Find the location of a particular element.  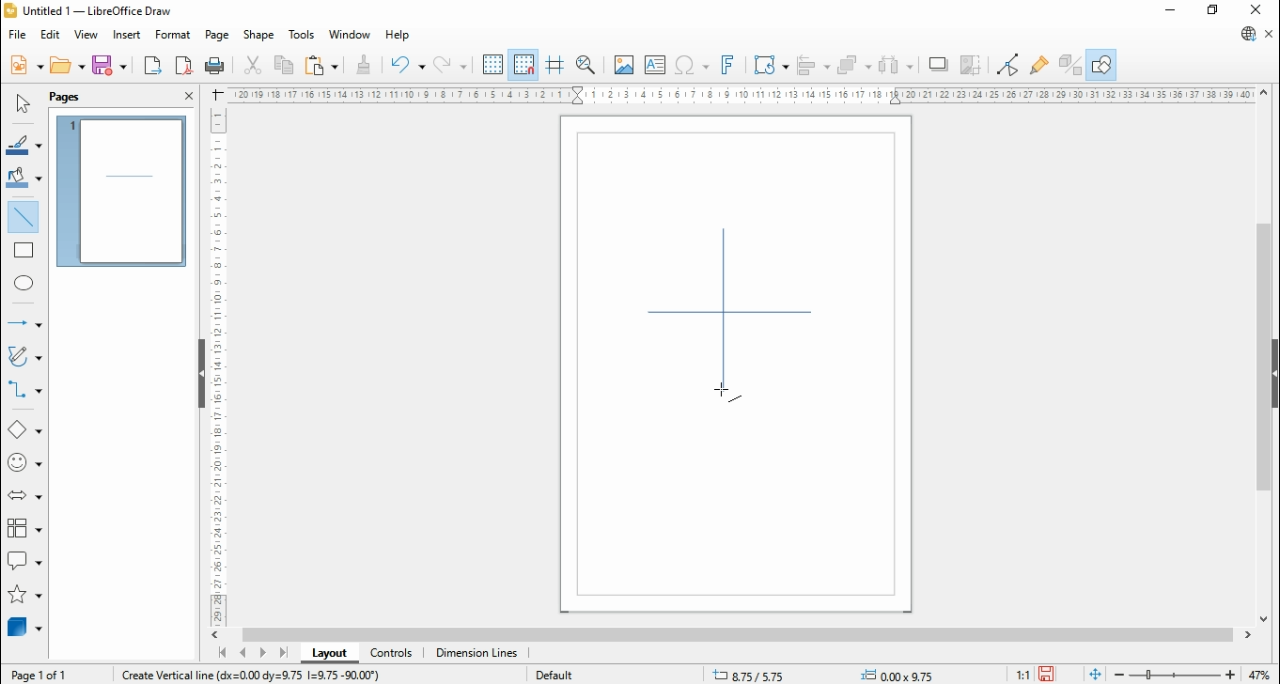

pan and zoom is located at coordinates (586, 64).